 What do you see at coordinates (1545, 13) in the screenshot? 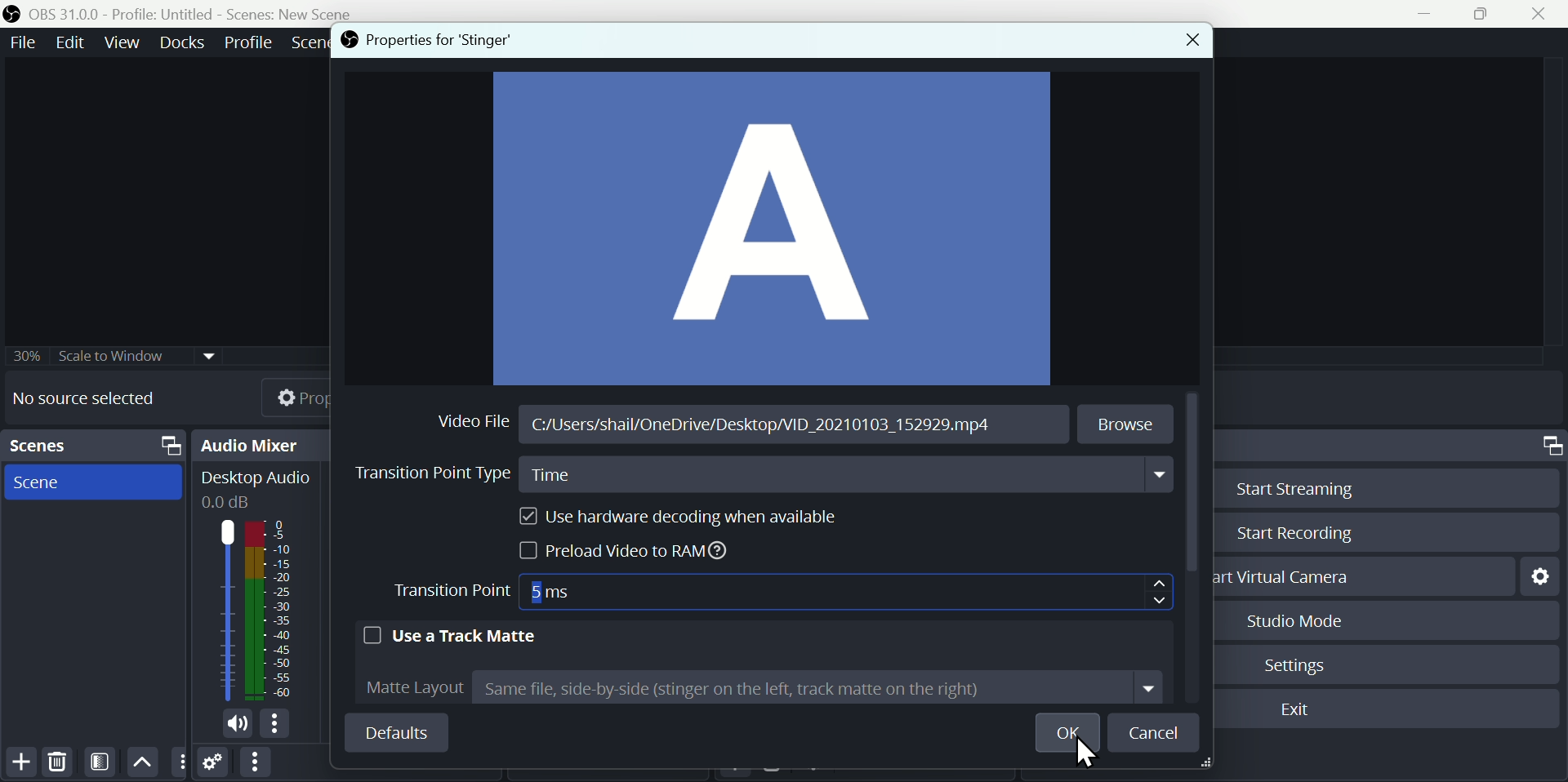
I see `Close` at bounding box center [1545, 13].